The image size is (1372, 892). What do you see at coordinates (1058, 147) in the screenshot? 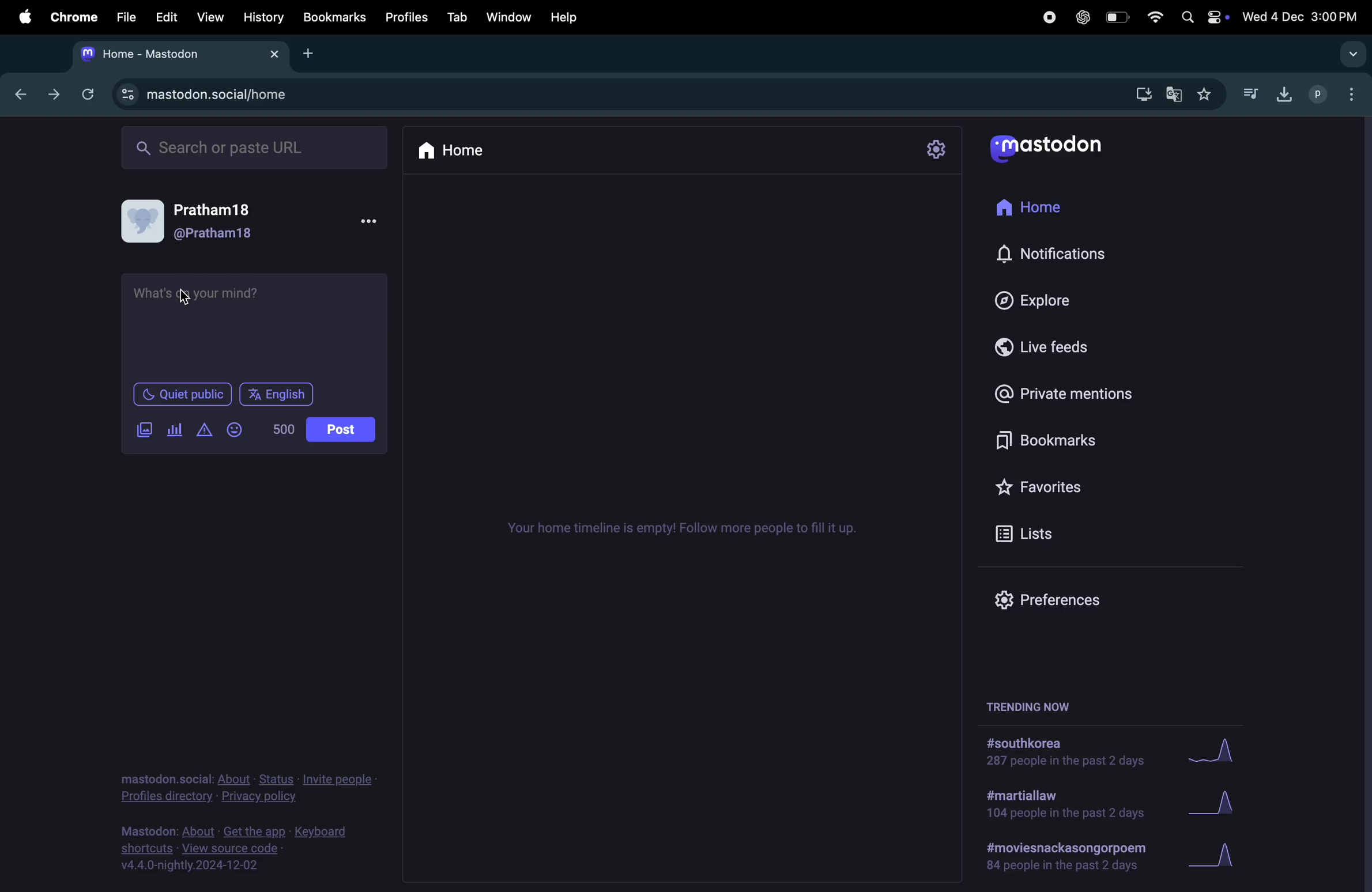
I see `Mastodon` at bounding box center [1058, 147].